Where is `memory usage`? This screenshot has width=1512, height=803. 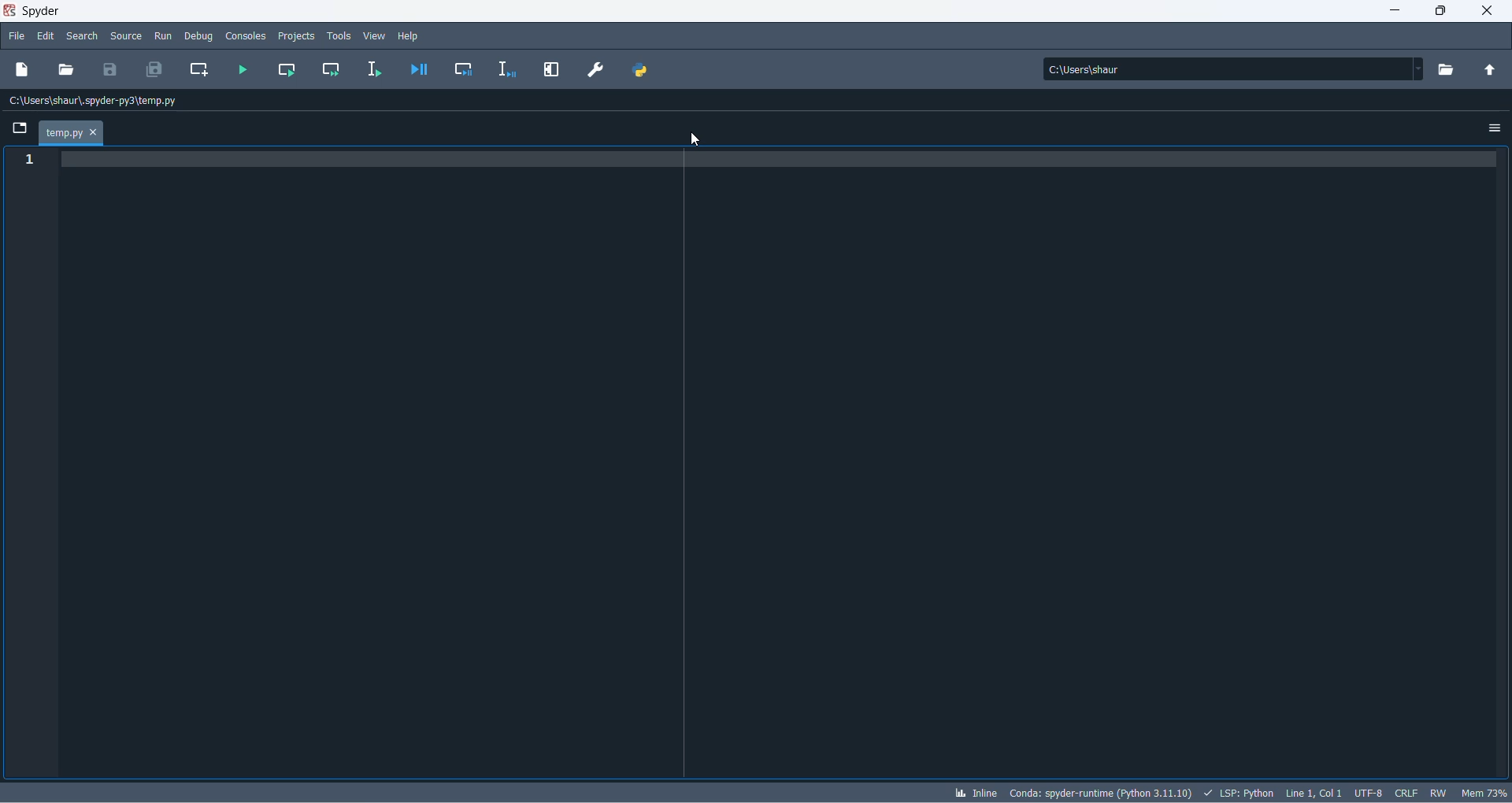
memory usage is located at coordinates (1484, 791).